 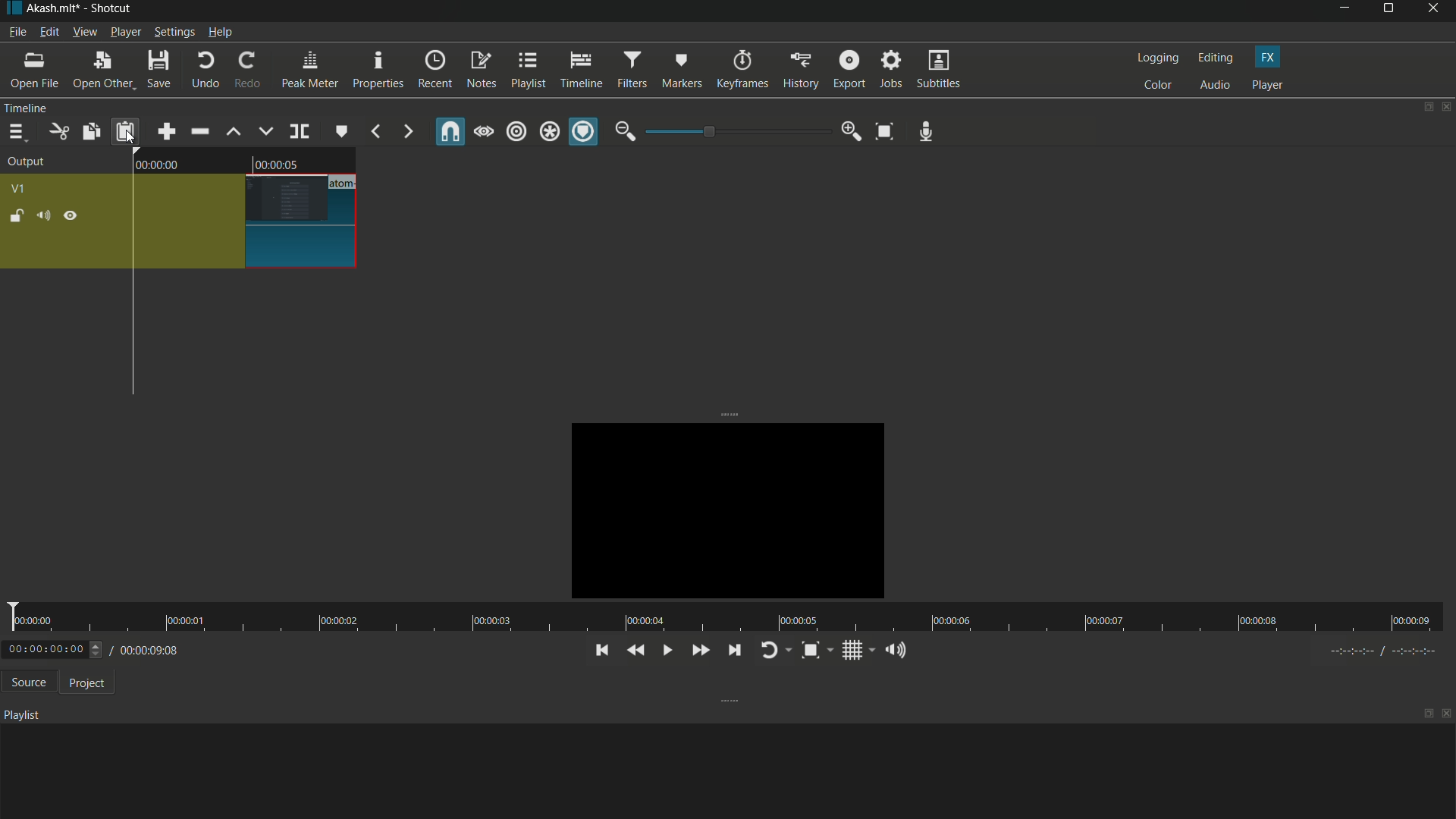 I want to click on previous marker, so click(x=376, y=133).